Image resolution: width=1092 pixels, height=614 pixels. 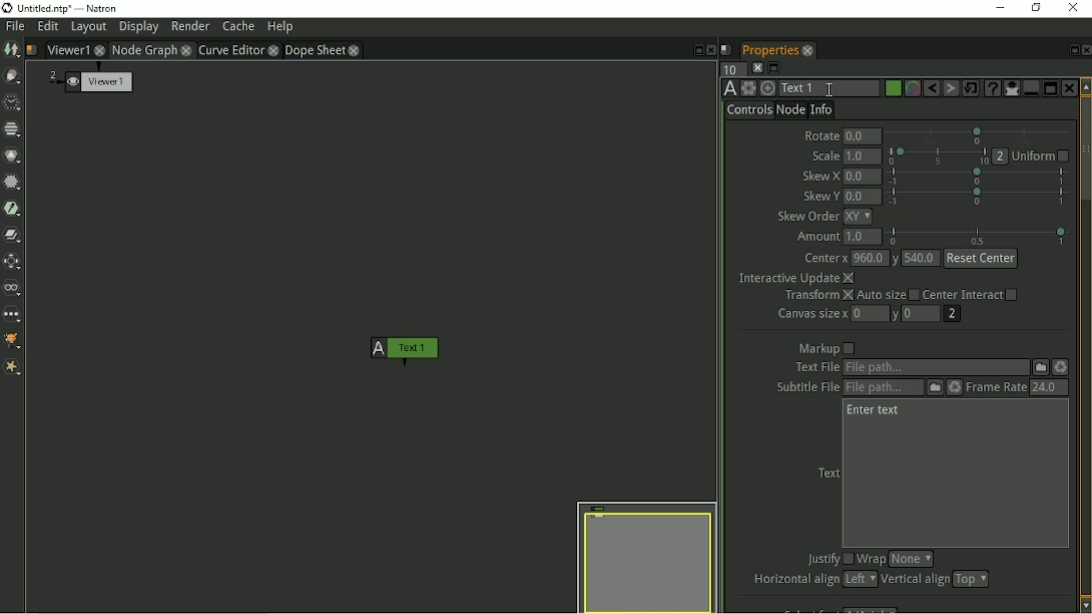 I want to click on Merge panel, so click(x=1030, y=88).